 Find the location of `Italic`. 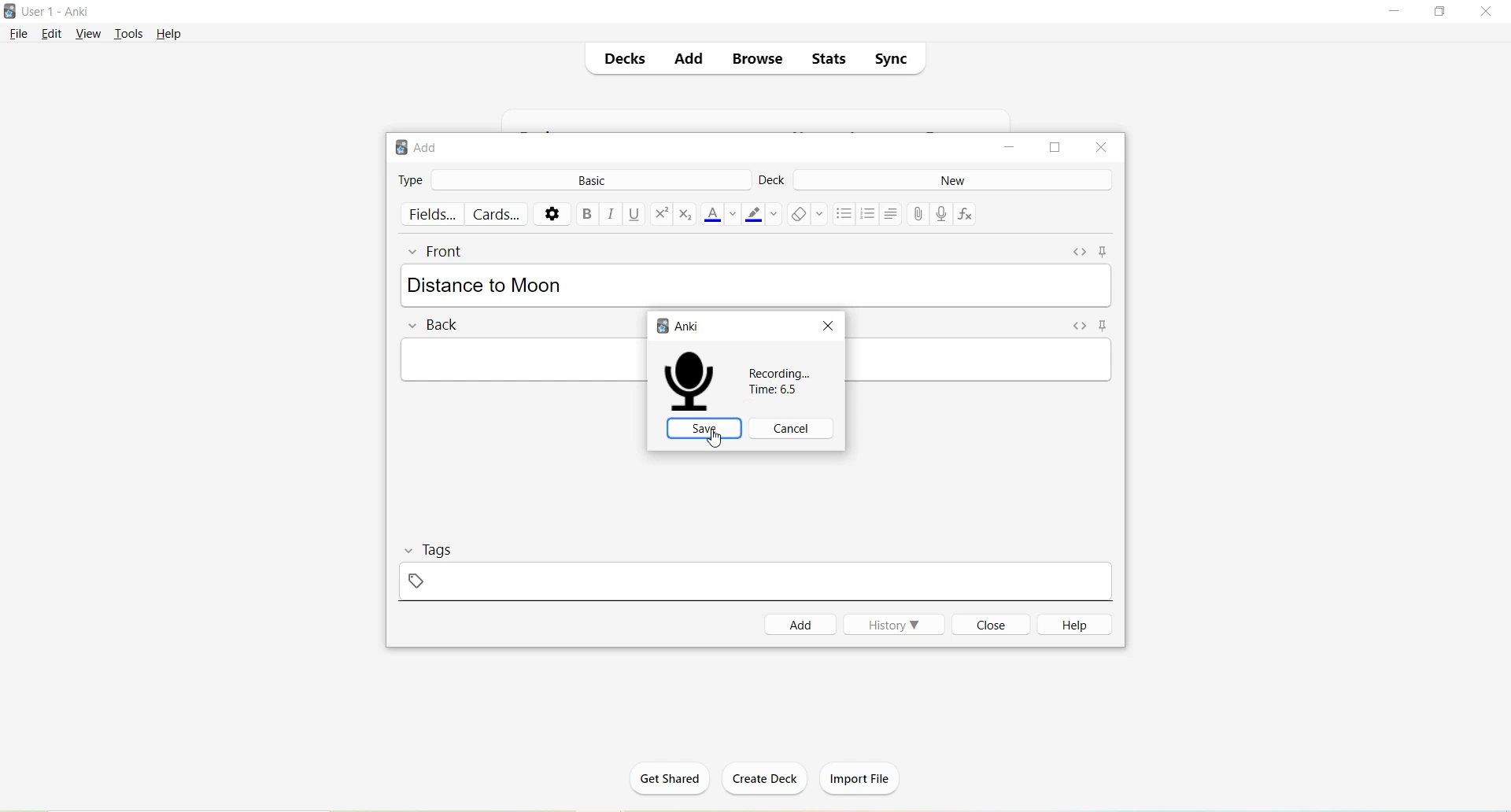

Italic is located at coordinates (611, 213).